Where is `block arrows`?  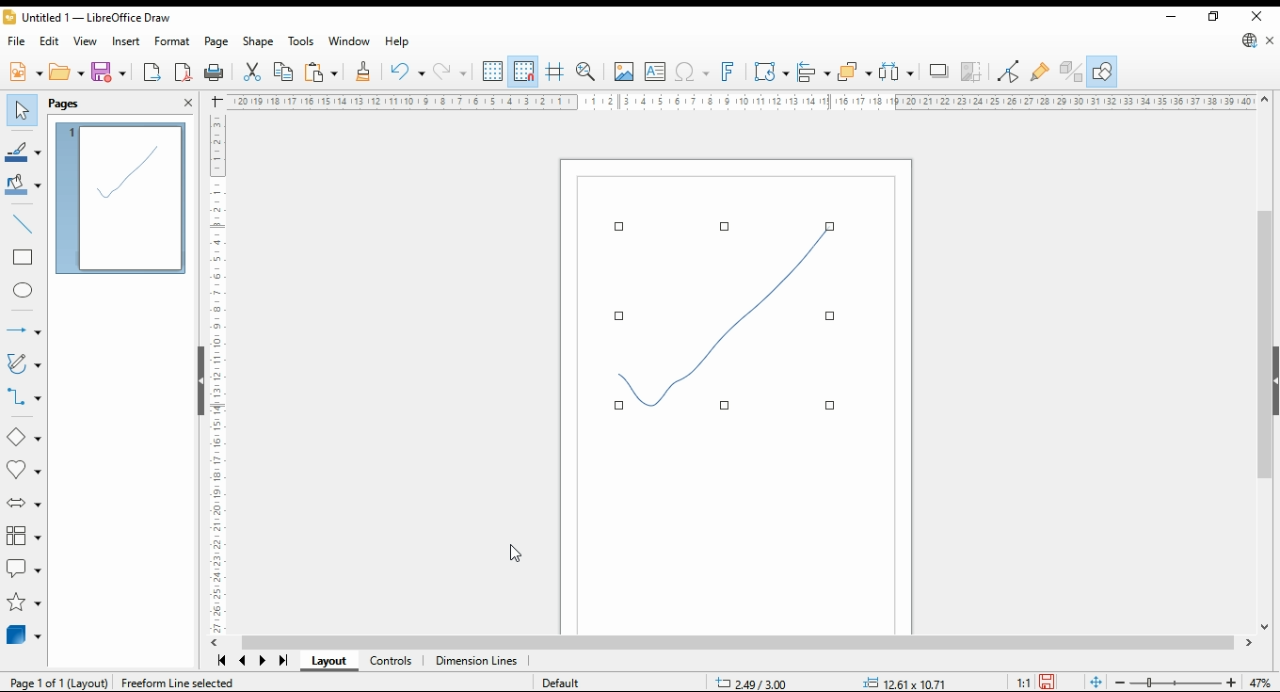
block arrows is located at coordinates (23, 503).